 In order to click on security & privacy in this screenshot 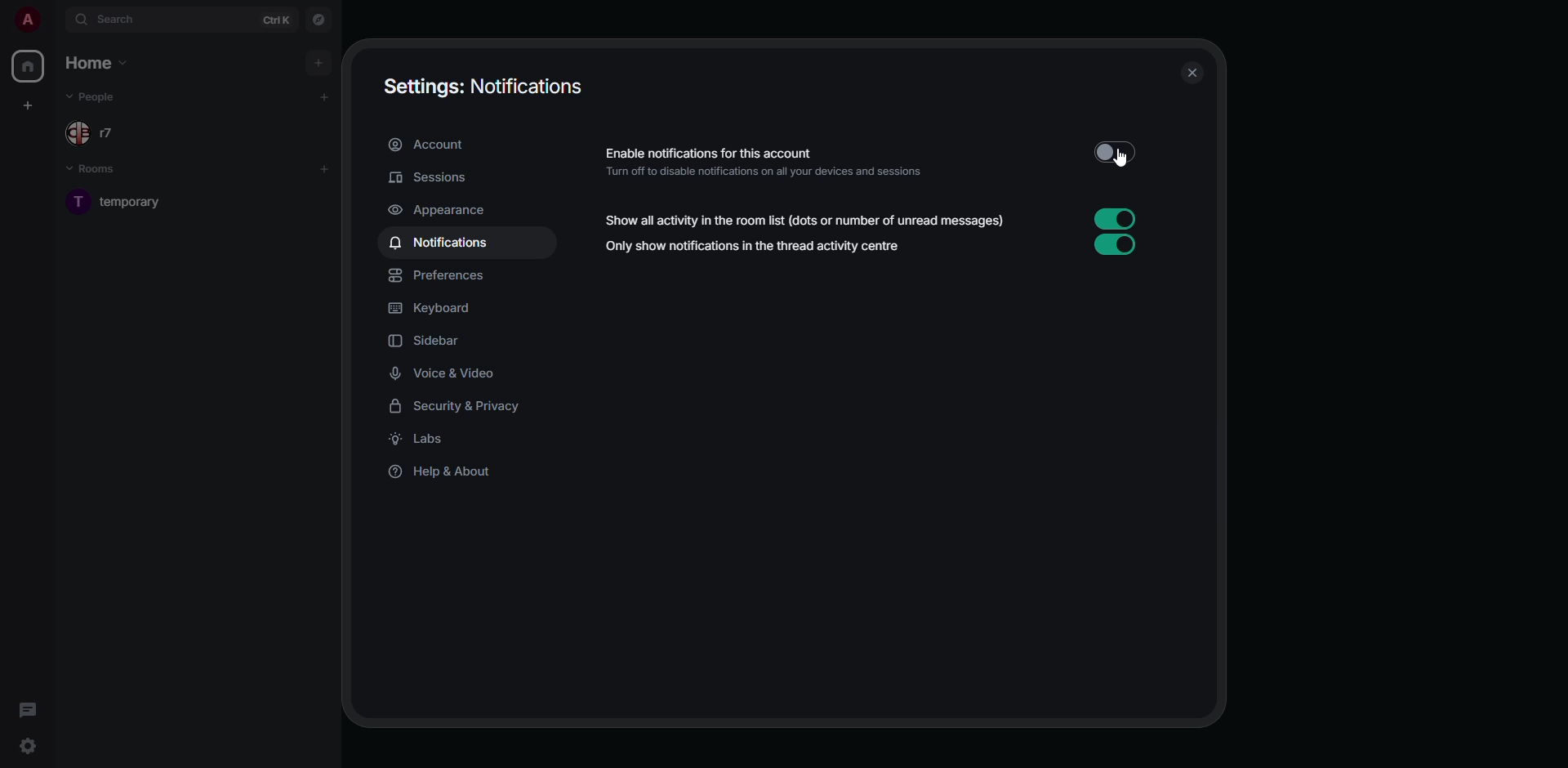, I will do `click(462, 406)`.